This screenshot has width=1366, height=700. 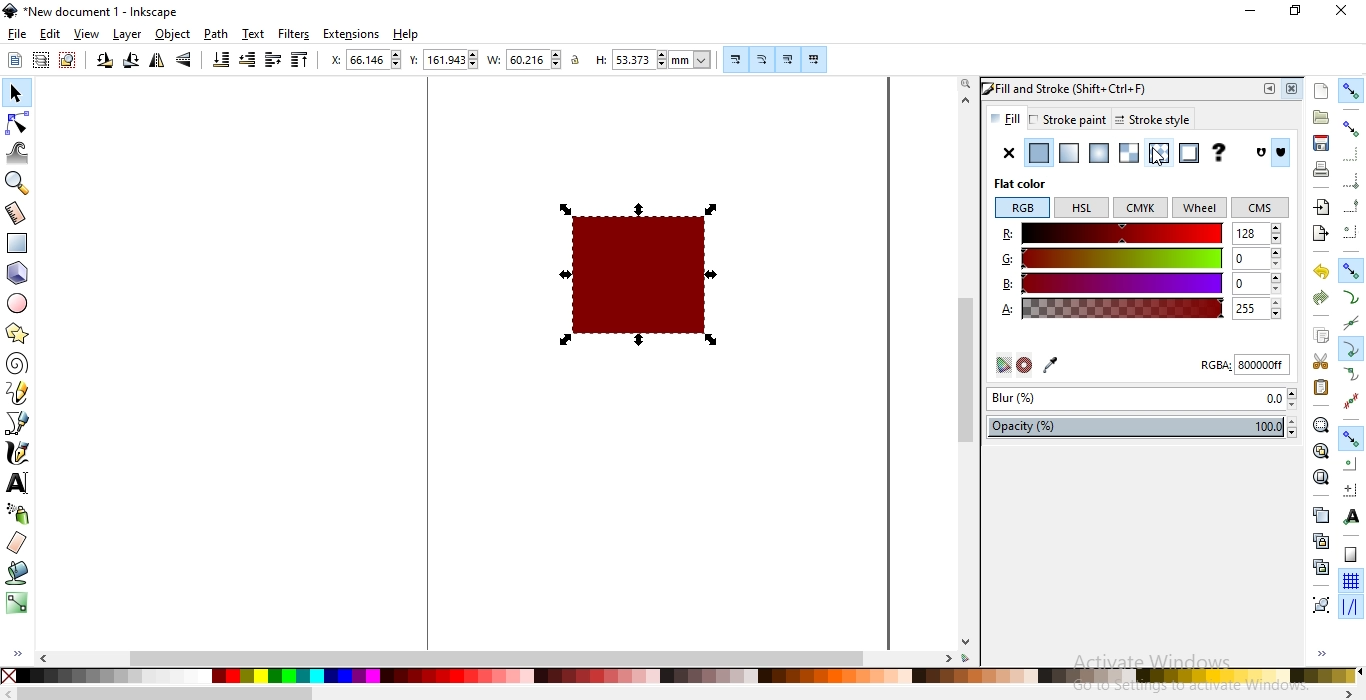 What do you see at coordinates (1321, 514) in the screenshot?
I see `create duplicate` at bounding box center [1321, 514].